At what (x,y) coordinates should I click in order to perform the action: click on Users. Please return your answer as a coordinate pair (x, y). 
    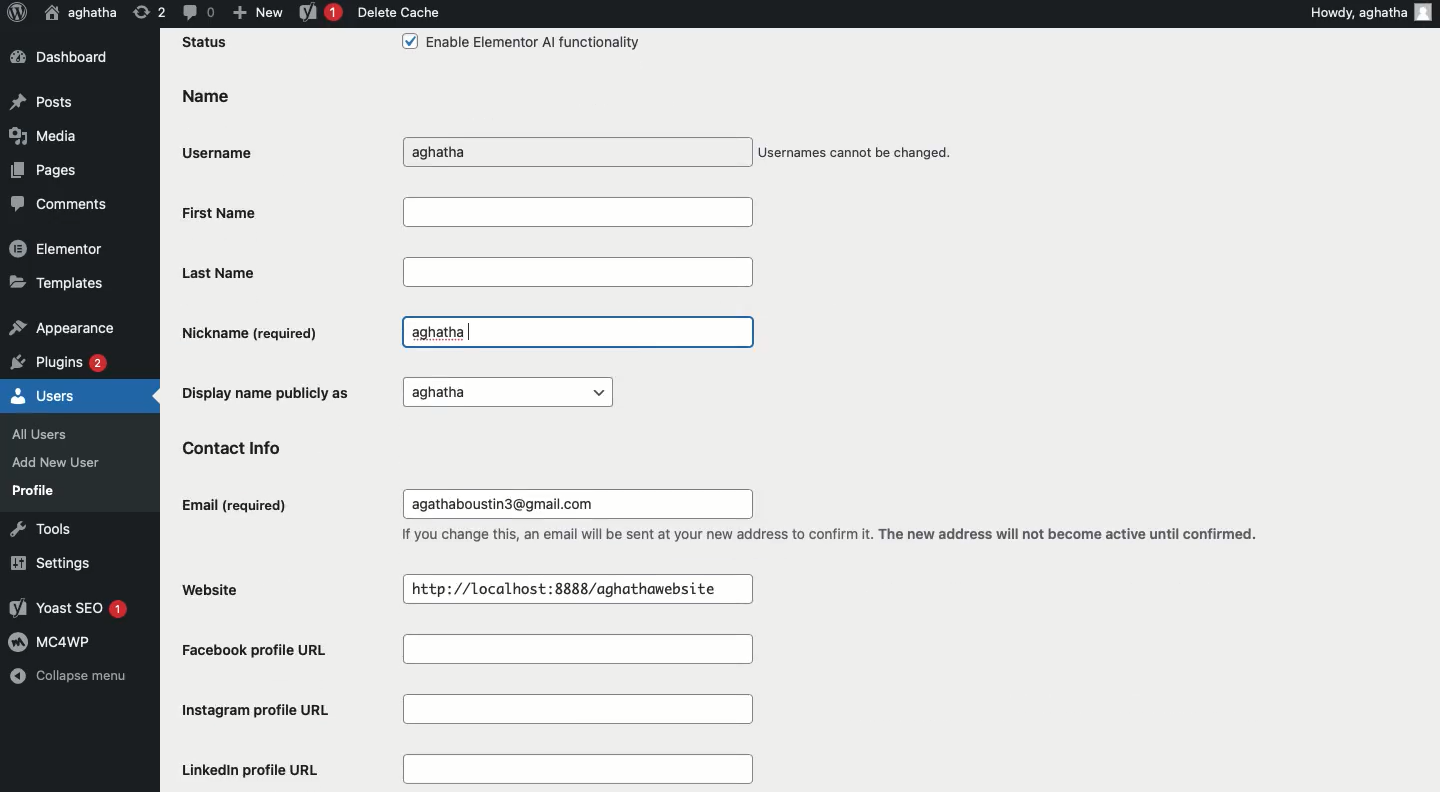
    Looking at the image, I should click on (44, 394).